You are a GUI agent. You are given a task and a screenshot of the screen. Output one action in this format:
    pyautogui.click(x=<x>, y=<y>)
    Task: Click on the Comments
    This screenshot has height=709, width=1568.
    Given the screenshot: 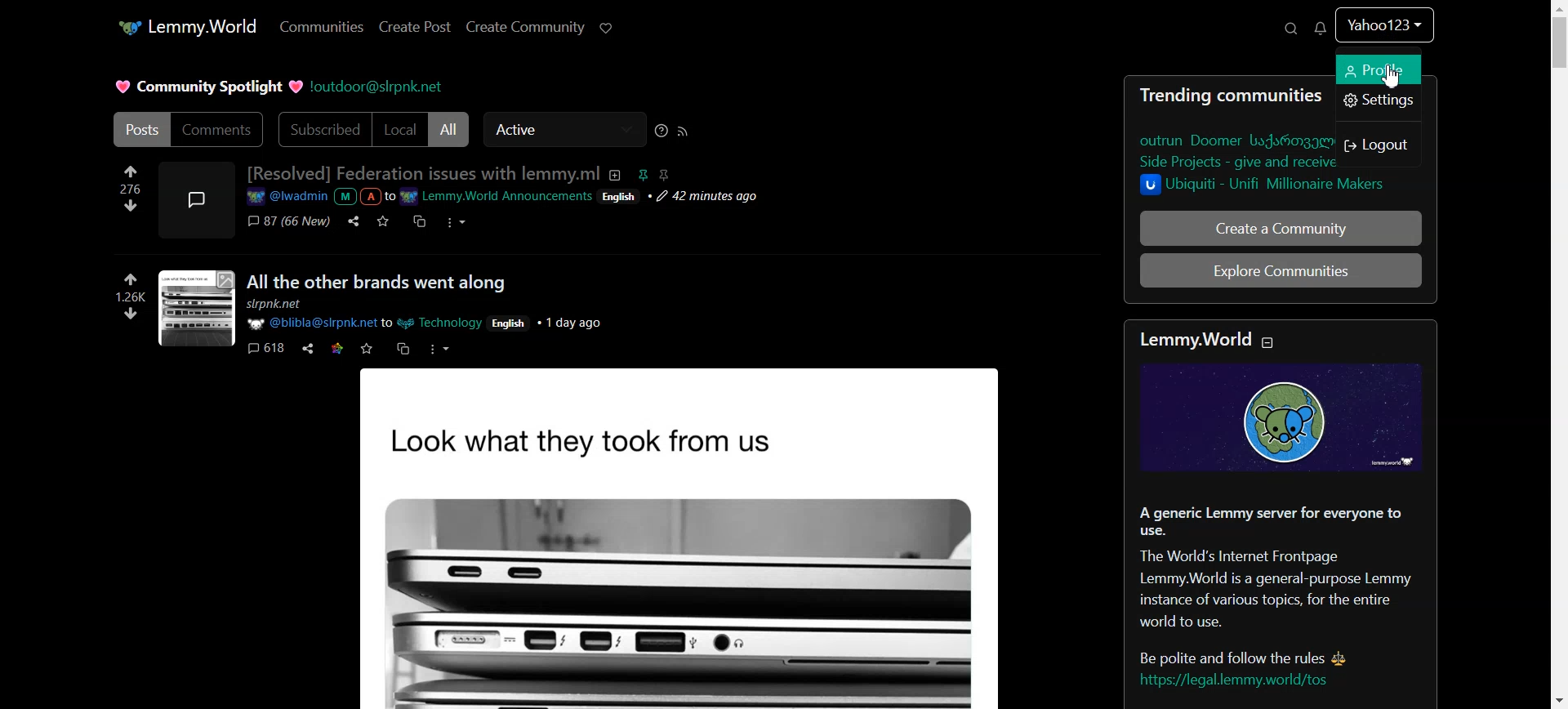 What is the action you would take?
    pyautogui.click(x=219, y=130)
    